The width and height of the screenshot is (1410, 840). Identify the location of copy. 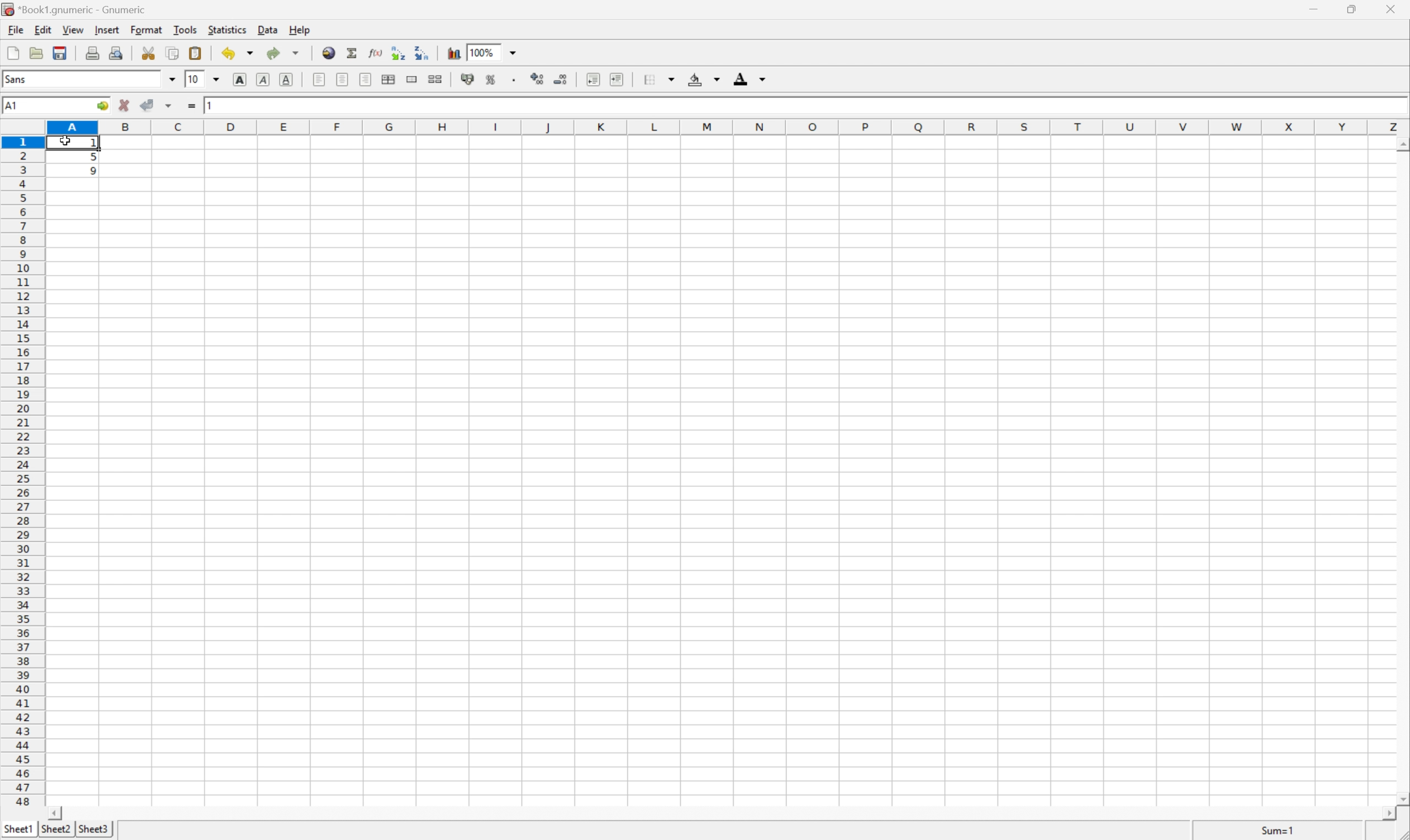
(172, 53).